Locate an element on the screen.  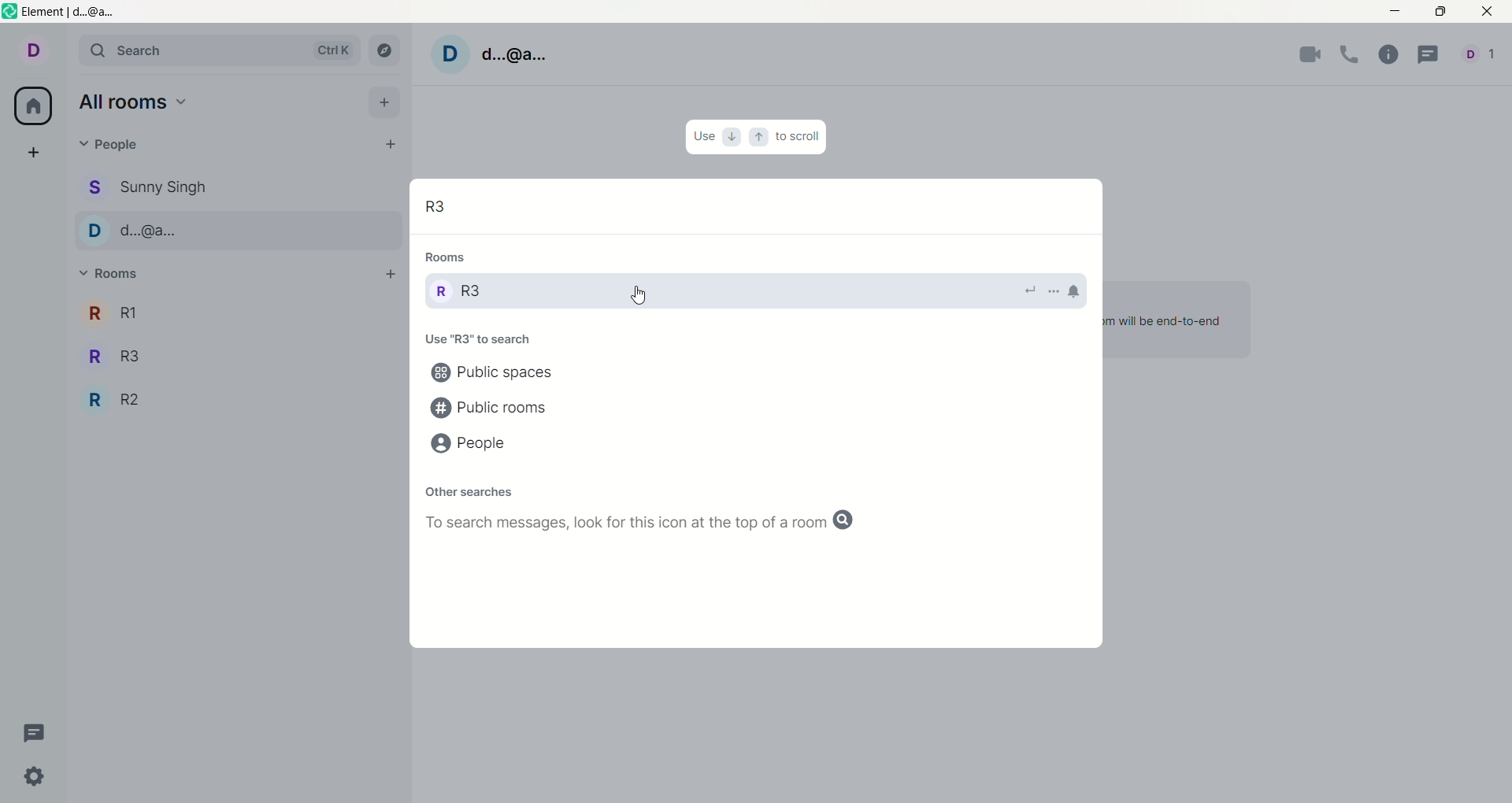
public rooms is located at coordinates (494, 408).